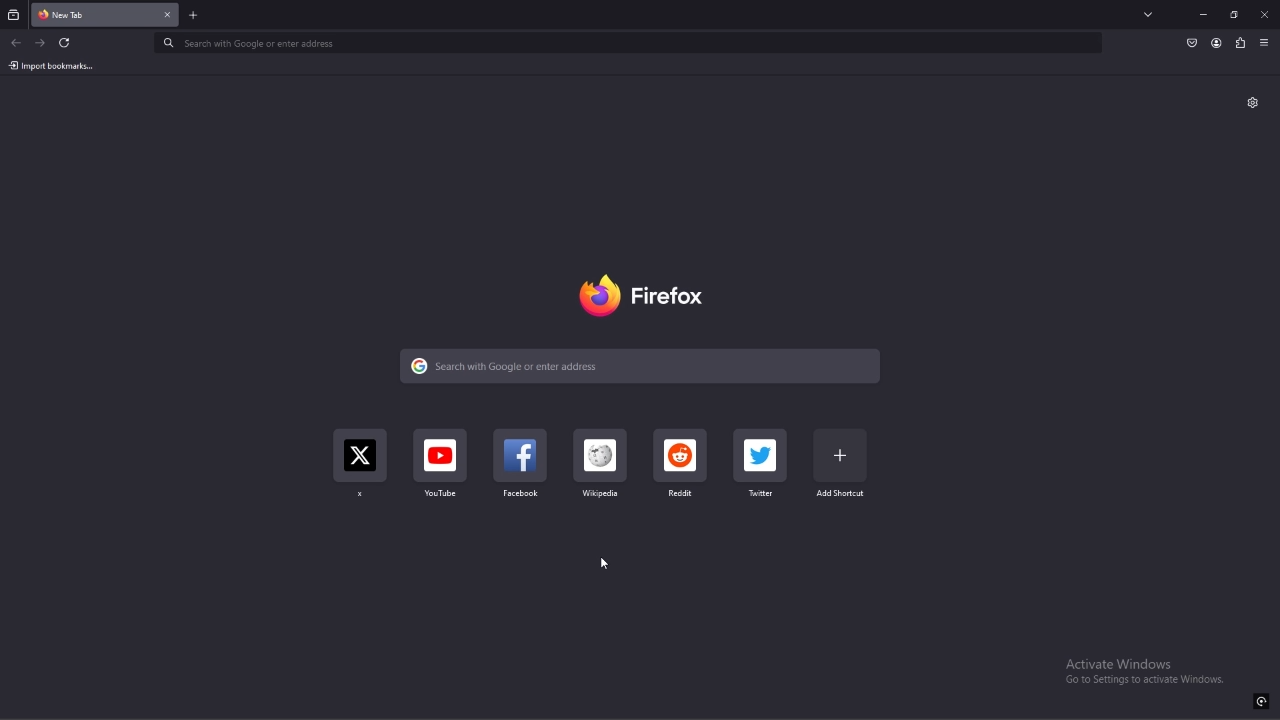 This screenshot has height=720, width=1280. Describe the element at coordinates (1234, 14) in the screenshot. I see `resize` at that location.